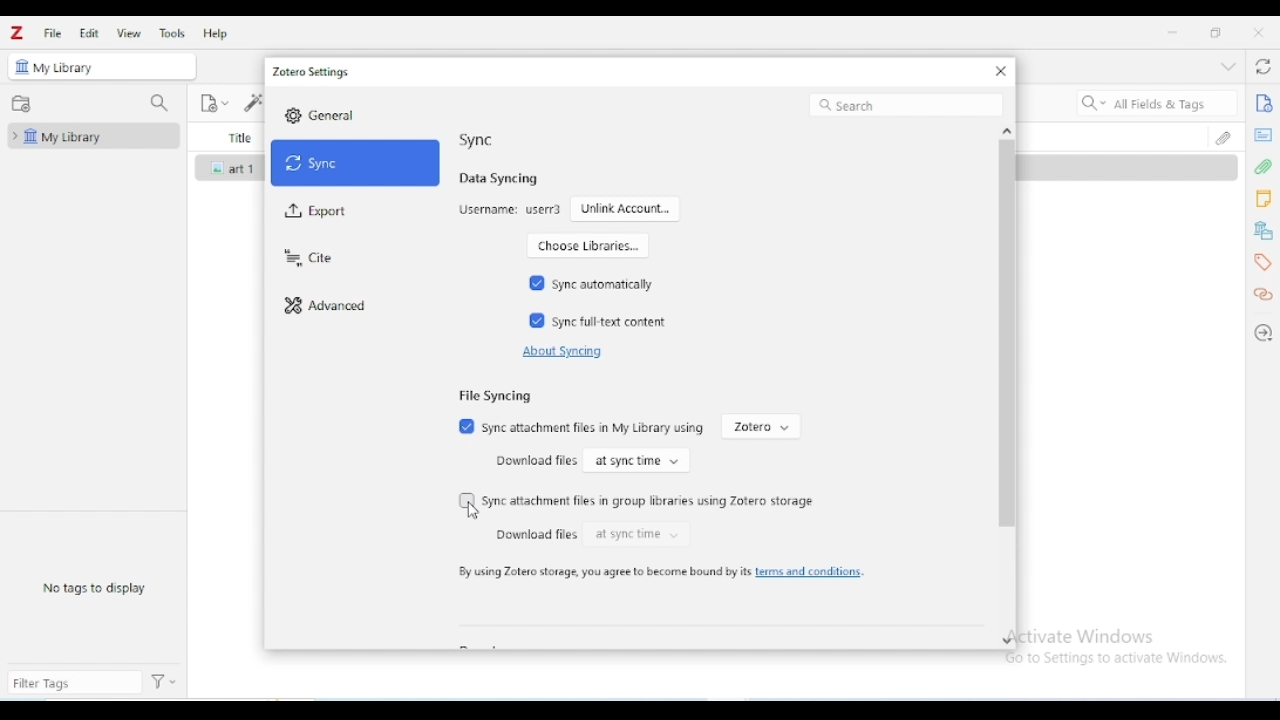  I want to click on sync attachment files in group libraries using zotero storage, so click(650, 501).